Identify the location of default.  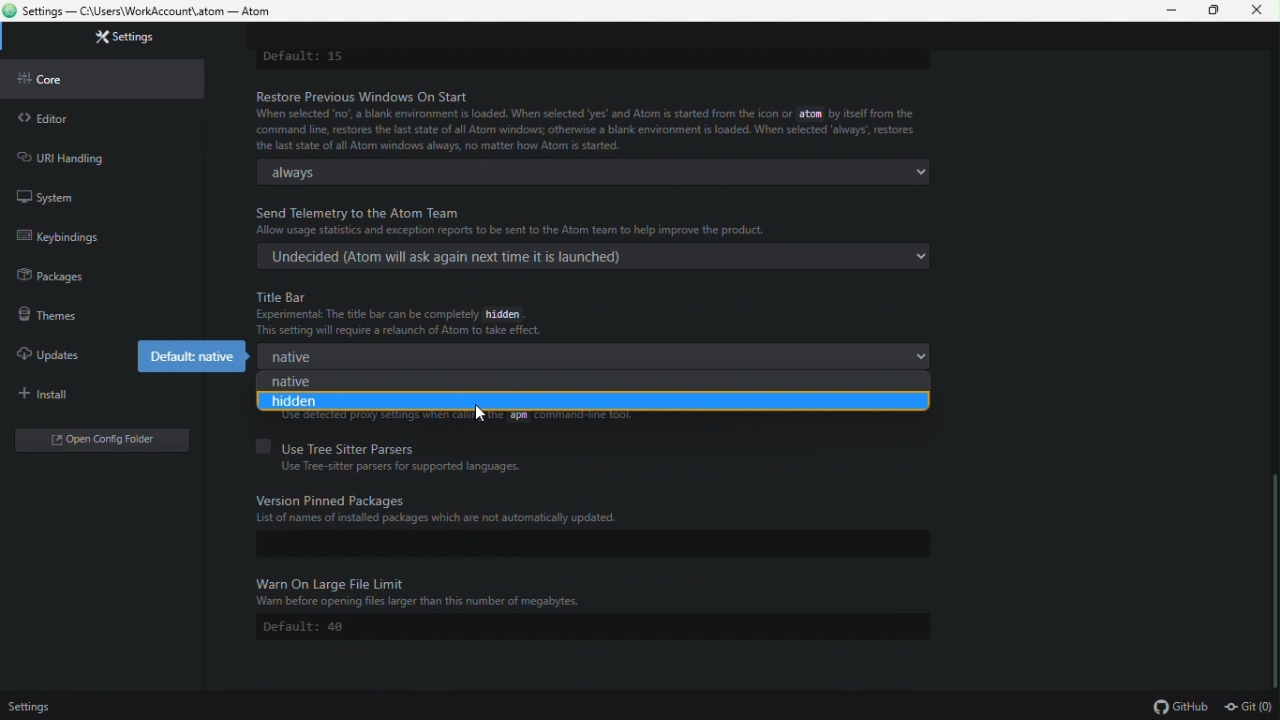
(304, 56).